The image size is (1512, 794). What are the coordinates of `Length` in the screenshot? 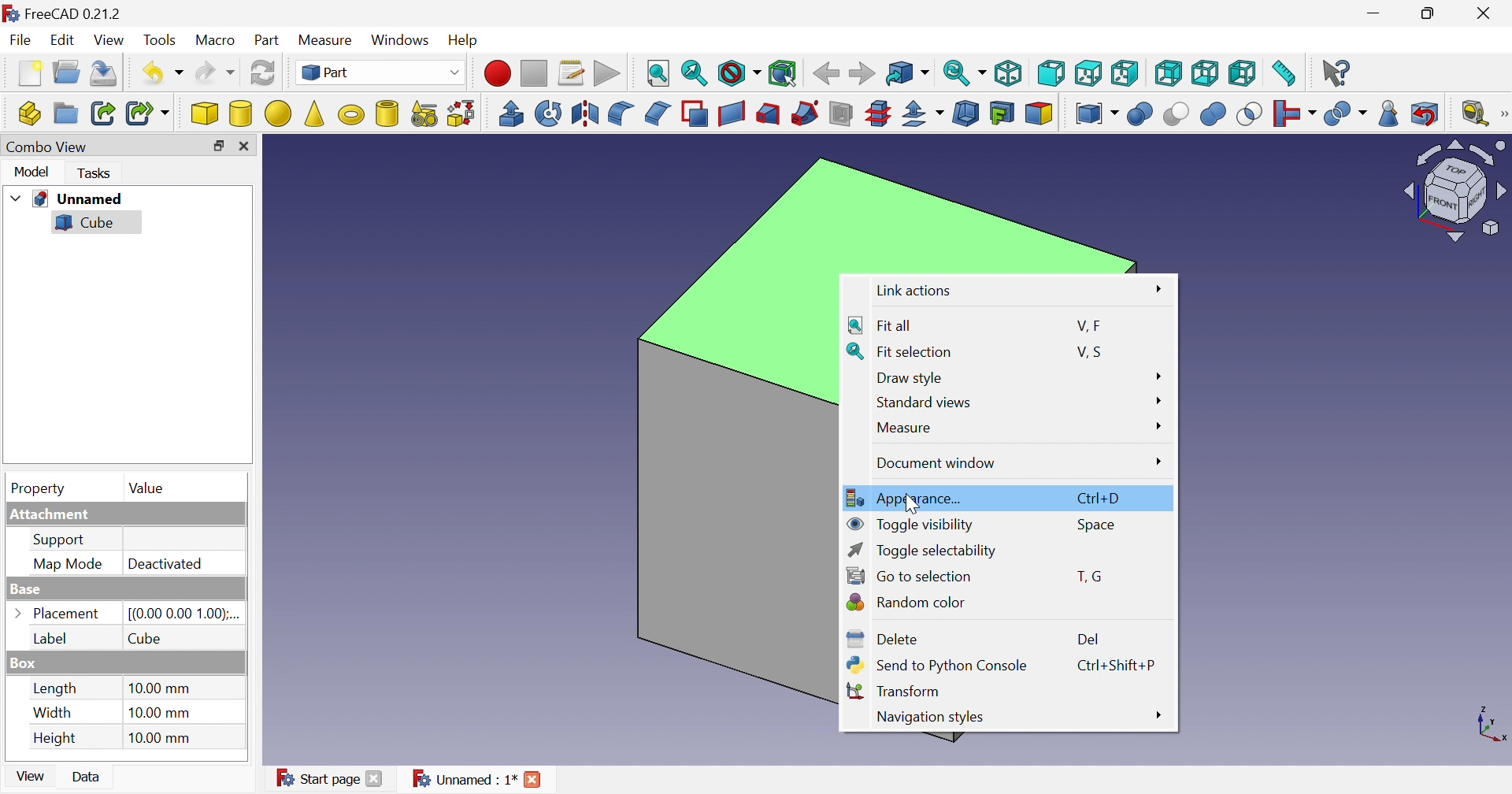 It's located at (55, 688).